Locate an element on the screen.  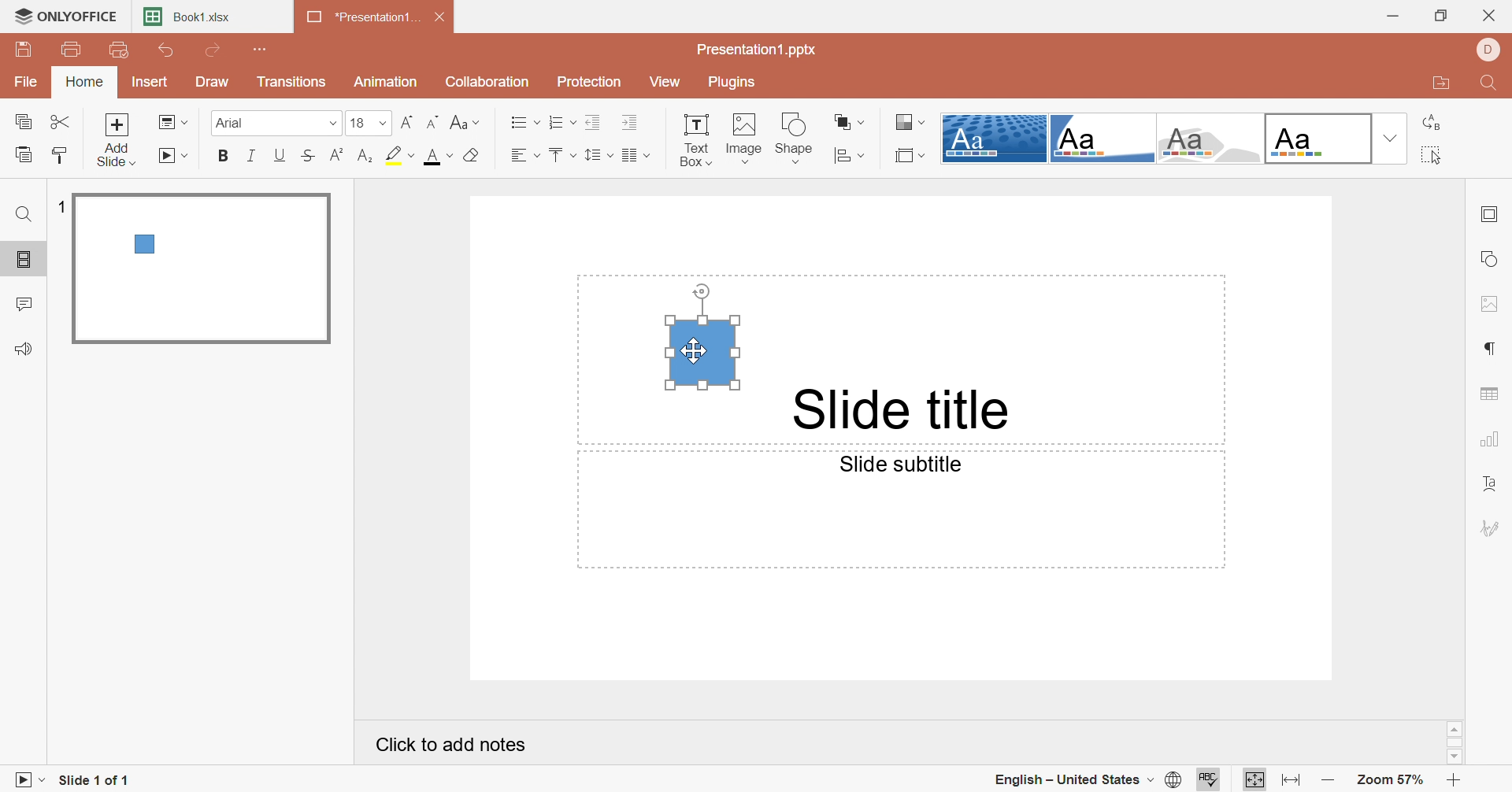
Customize quick access toolbar is located at coordinates (259, 50).